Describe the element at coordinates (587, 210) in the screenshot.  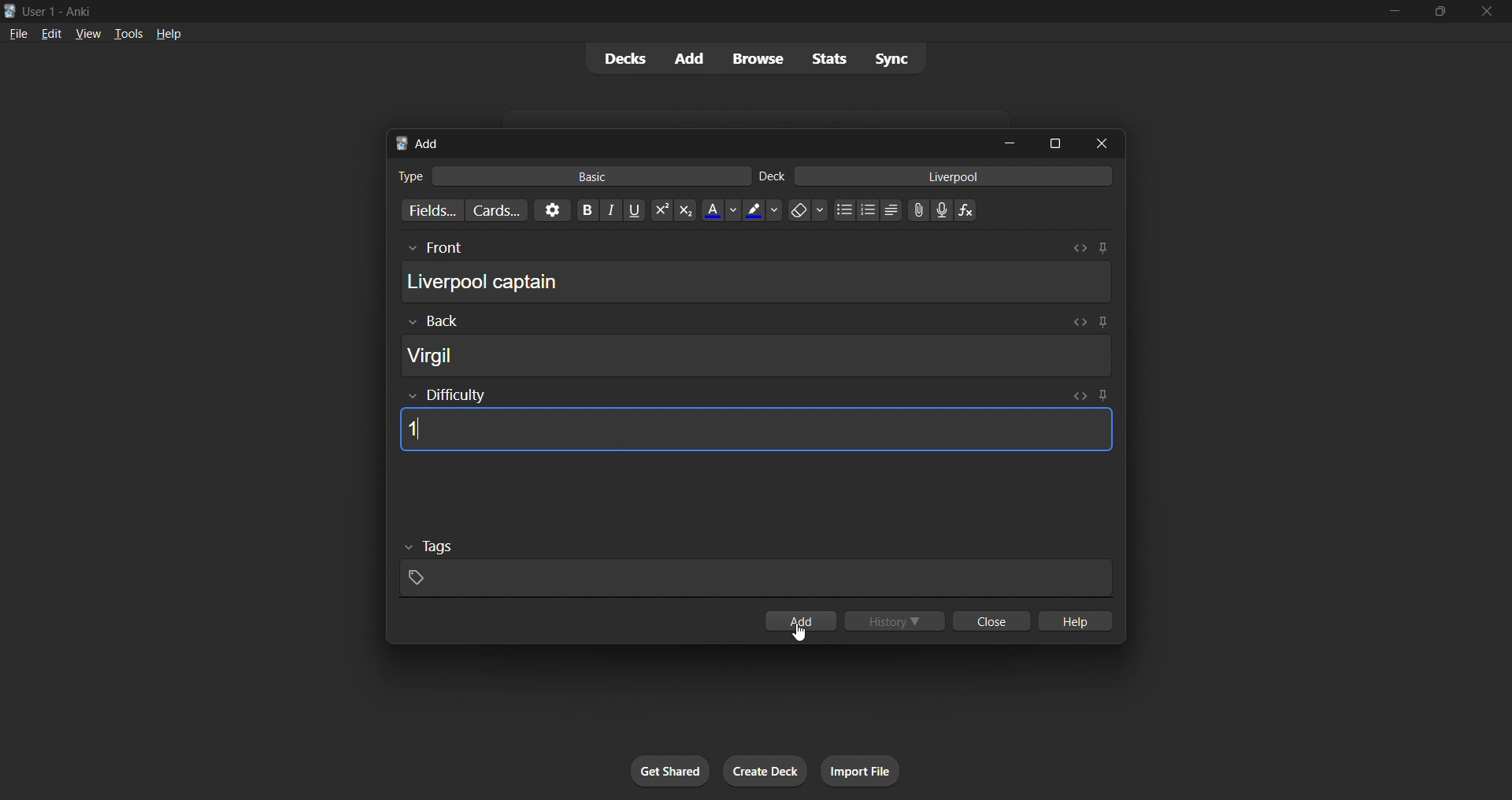
I see `Bold` at that location.